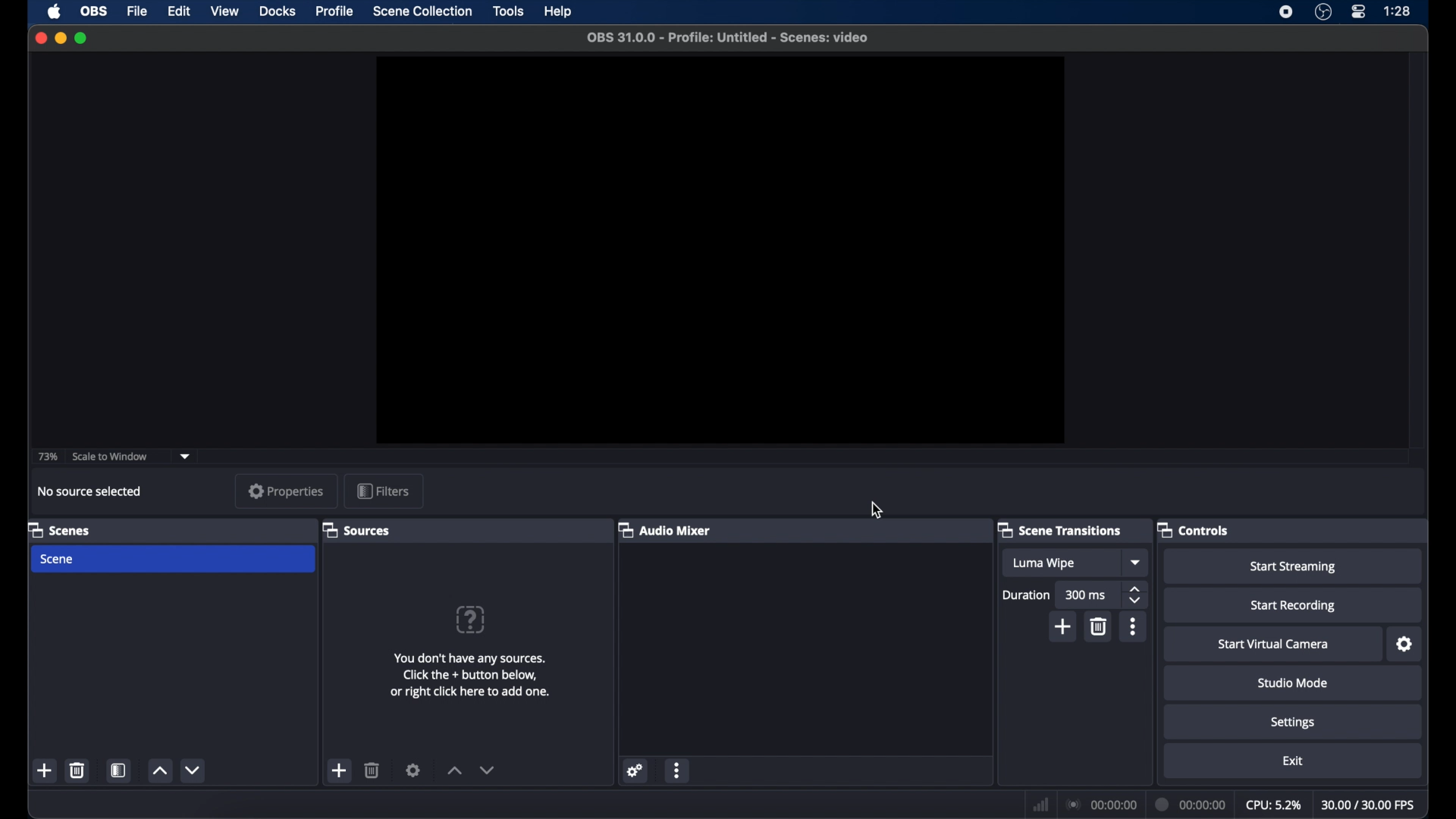 The width and height of the screenshot is (1456, 819). What do you see at coordinates (40, 38) in the screenshot?
I see `close` at bounding box center [40, 38].